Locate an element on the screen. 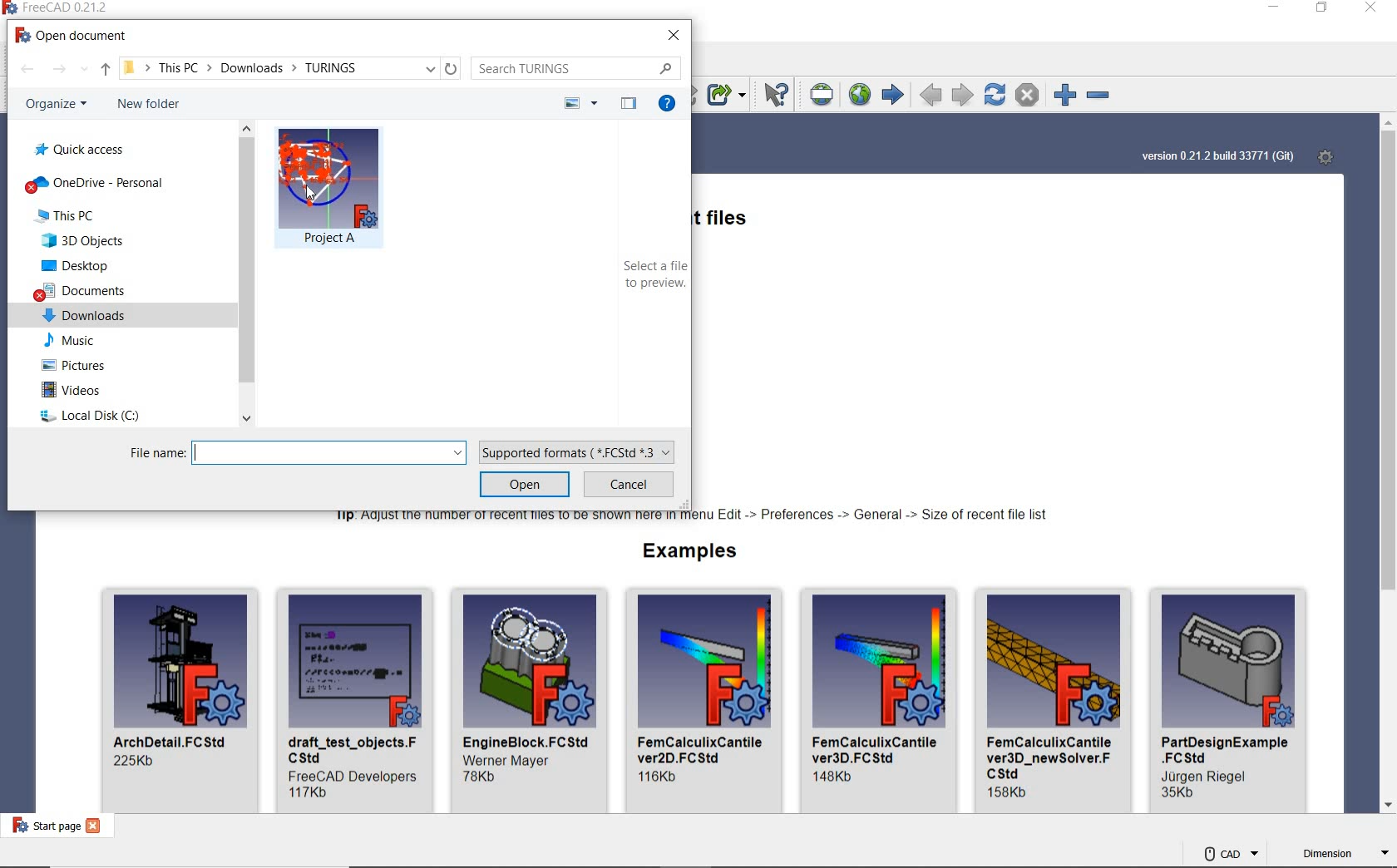 The height and width of the screenshot is (868, 1397). image is located at coordinates (1054, 659).